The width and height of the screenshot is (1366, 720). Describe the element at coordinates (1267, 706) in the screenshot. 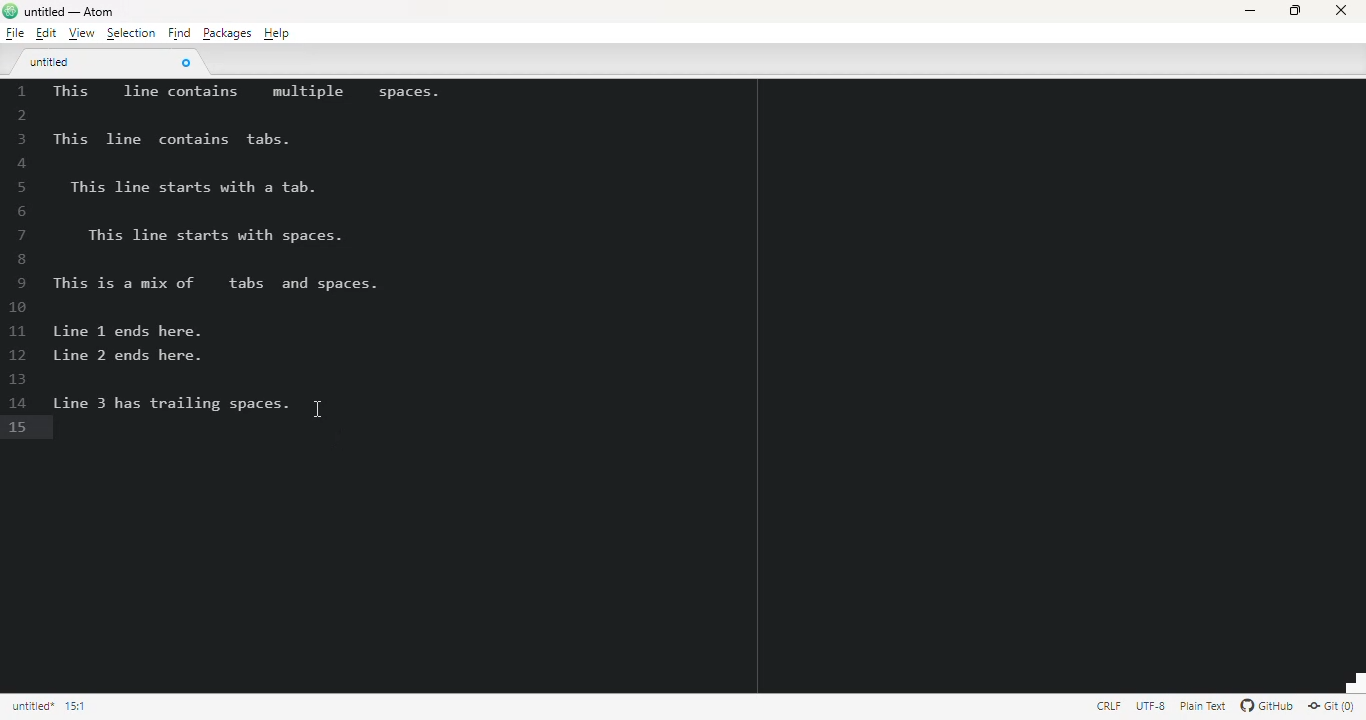

I see `GitHub` at that location.